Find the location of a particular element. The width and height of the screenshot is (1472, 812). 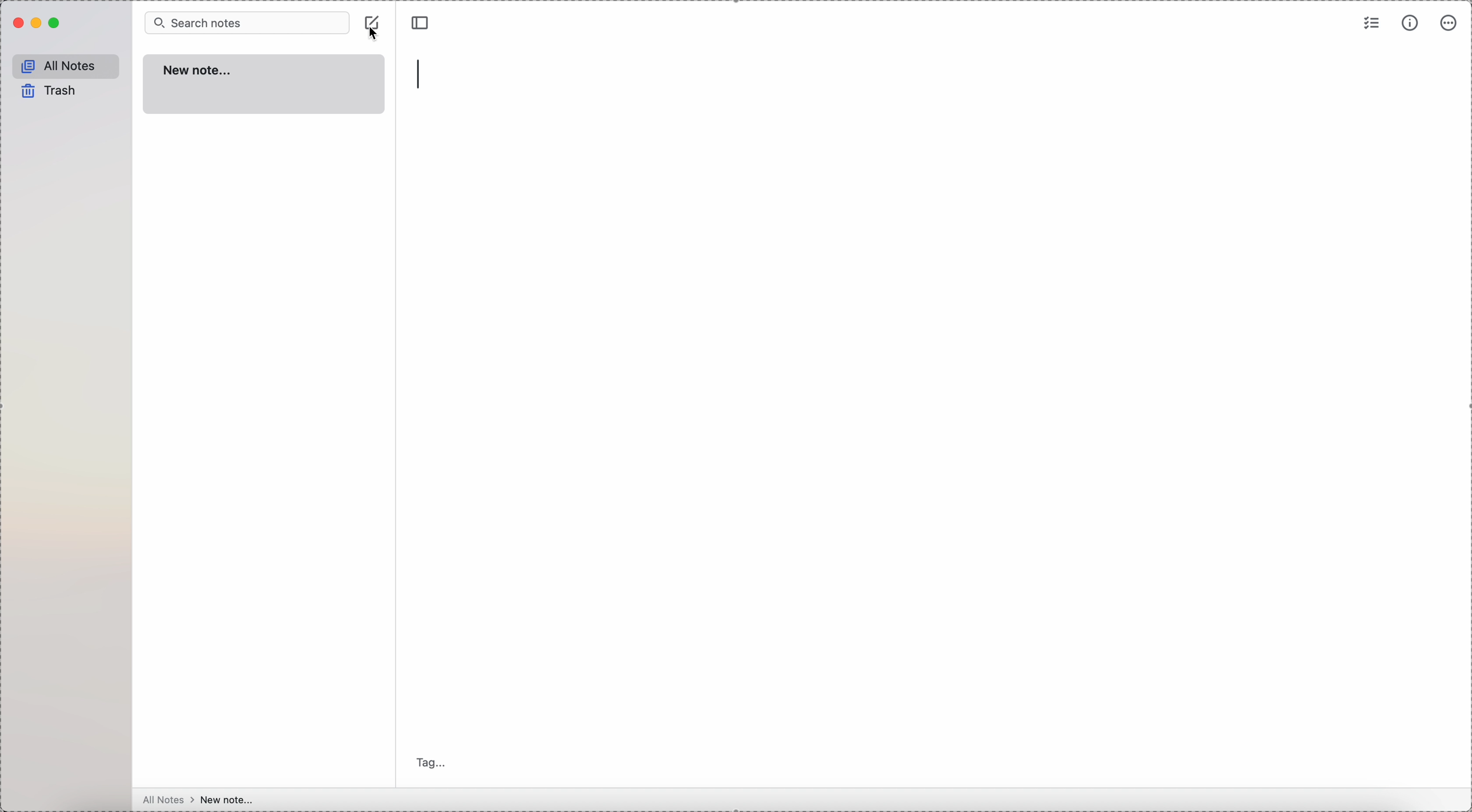

all notes > new note... is located at coordinates (197, 799).